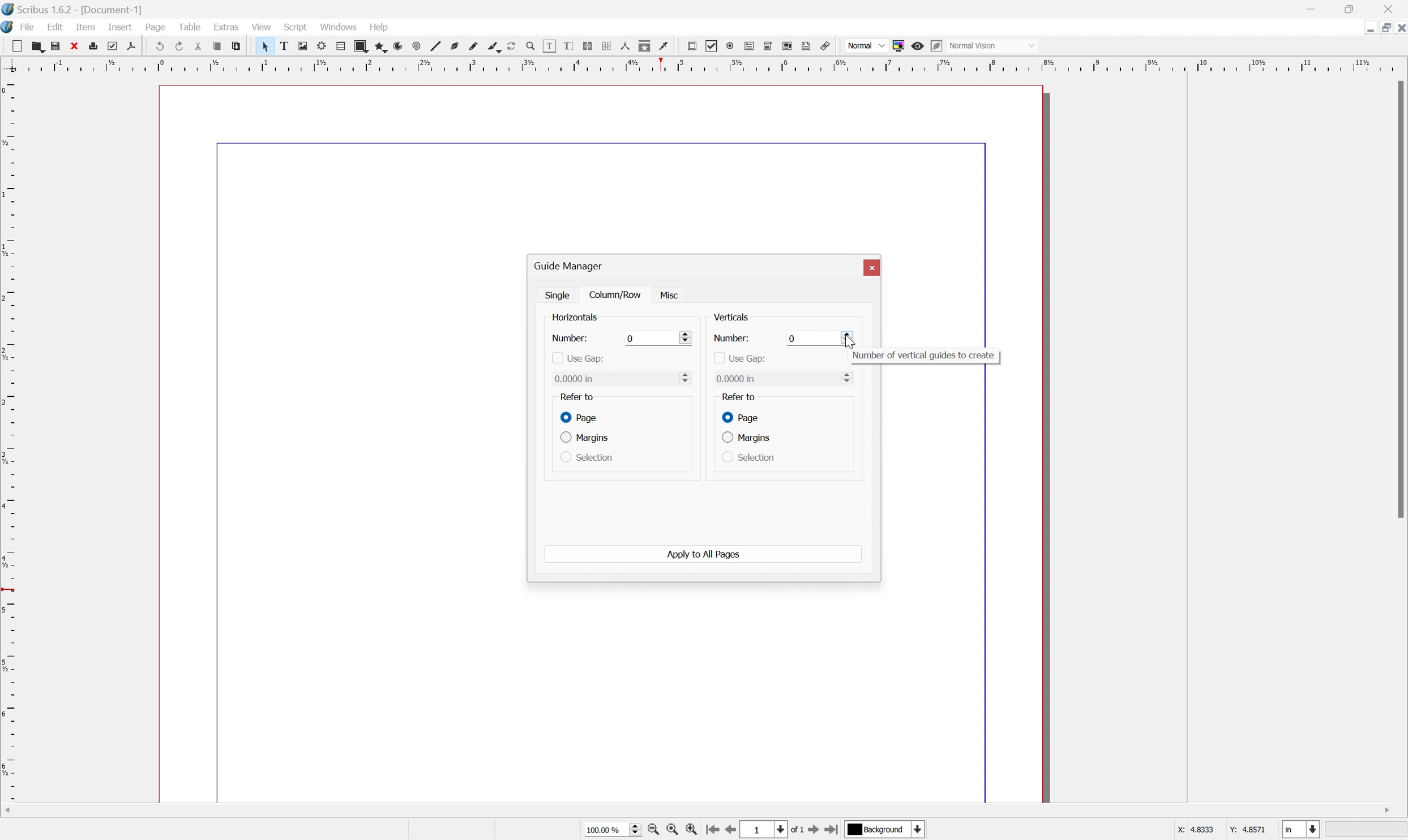 The width and height of the screenshot is (1408, 840). I want to click on restore down, so click(1350, 7).